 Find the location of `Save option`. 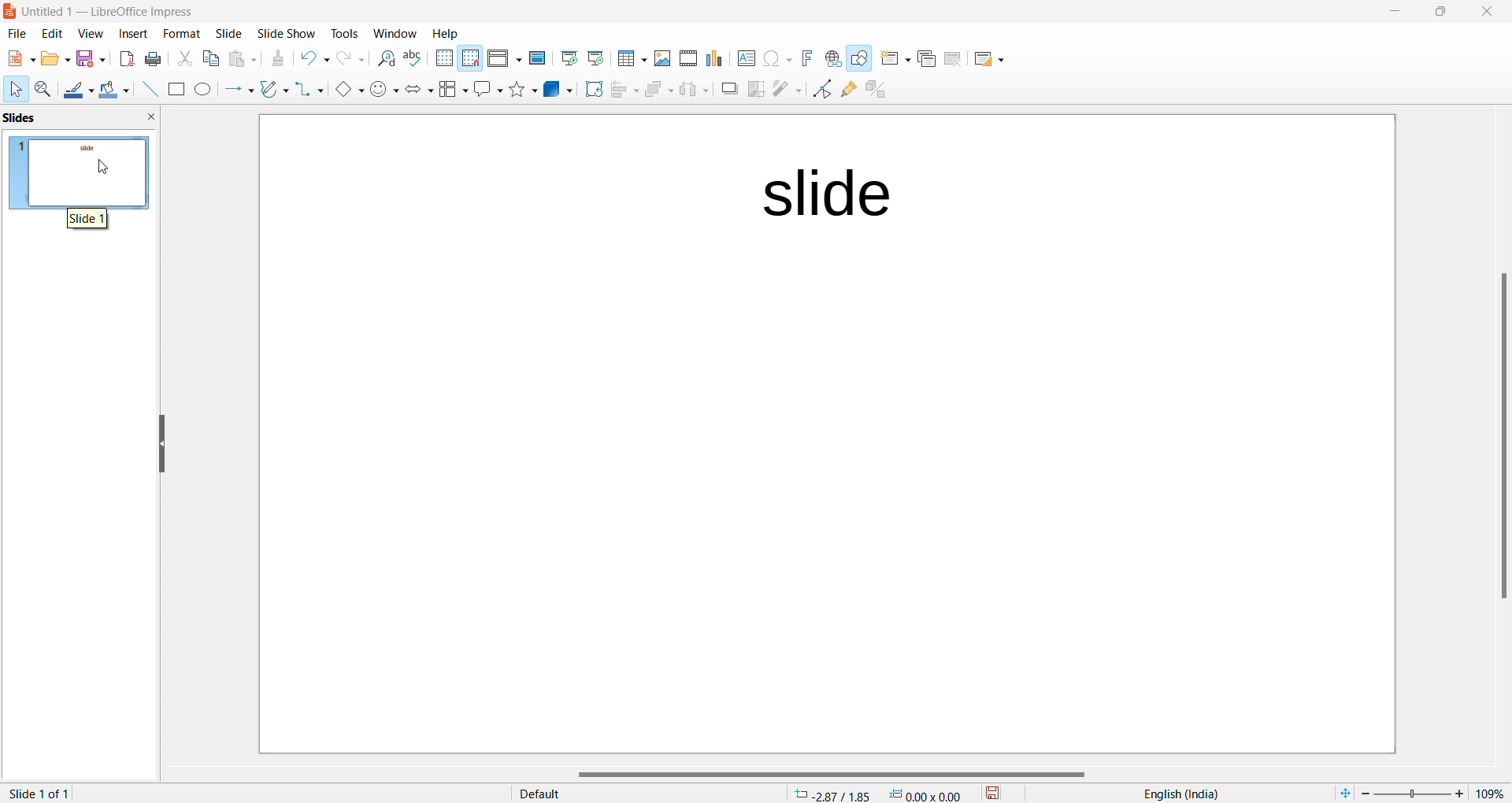

Save option is located at coordinates (91, 59).